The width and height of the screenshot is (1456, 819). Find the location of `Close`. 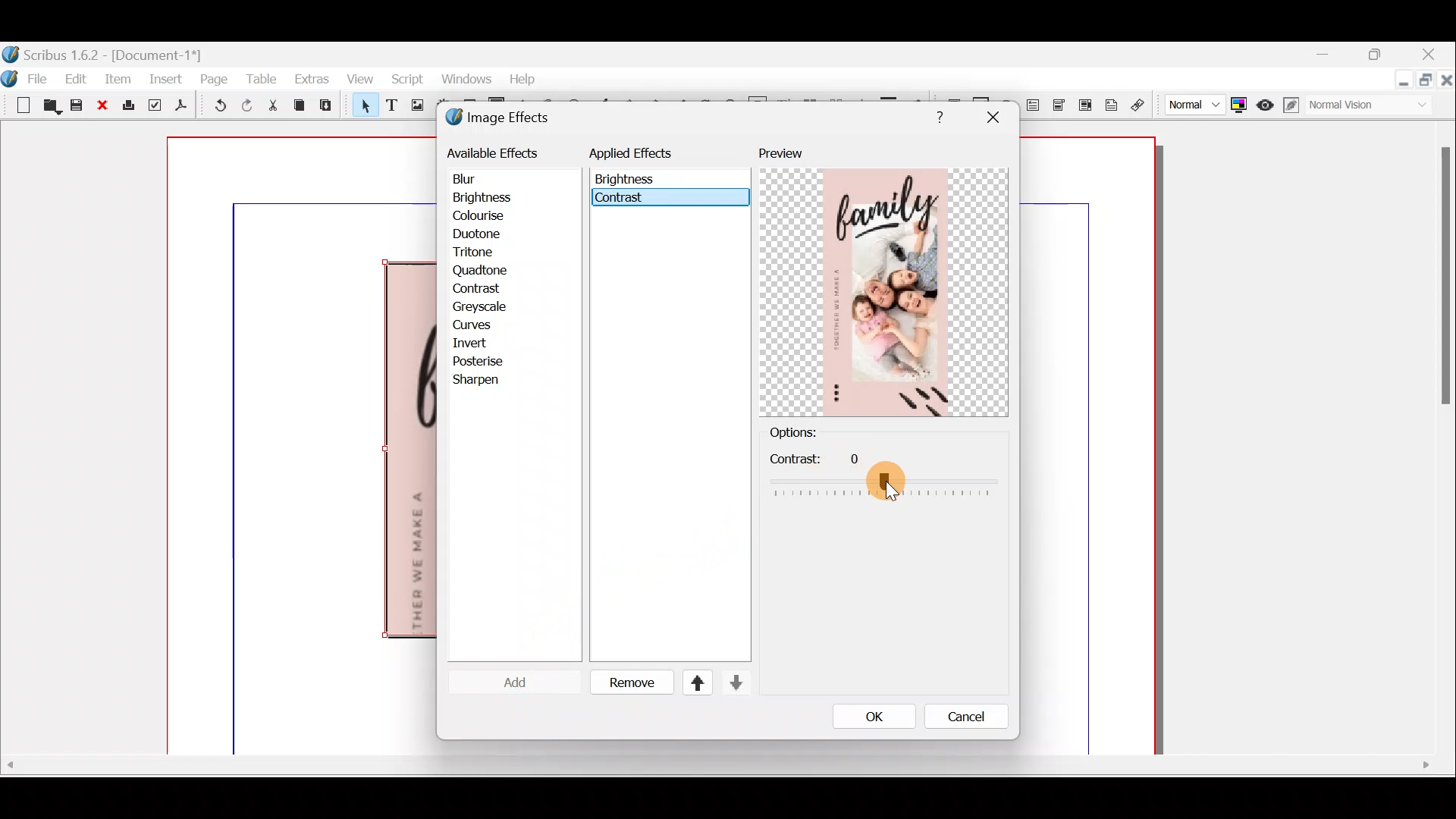

Close is located at coordinates (1447, 83).